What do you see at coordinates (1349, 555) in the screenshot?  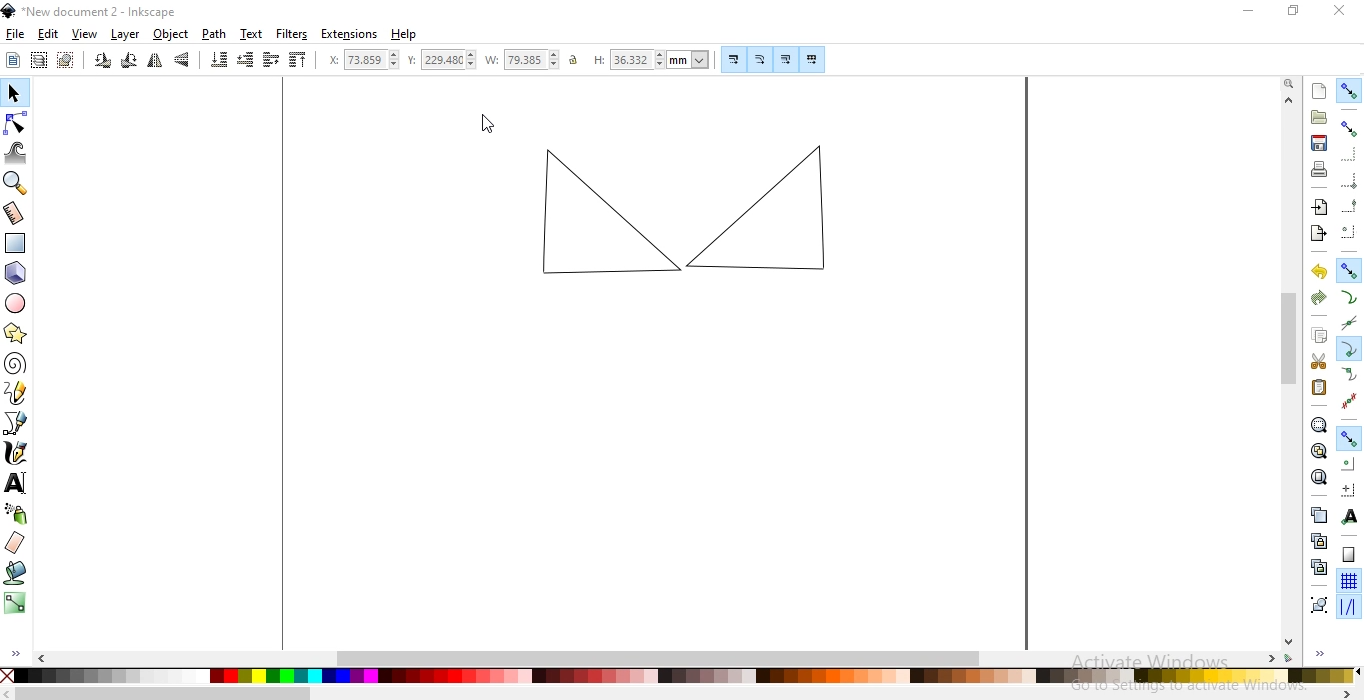 I see `snap to page border` at bounding box center [1349, 555].